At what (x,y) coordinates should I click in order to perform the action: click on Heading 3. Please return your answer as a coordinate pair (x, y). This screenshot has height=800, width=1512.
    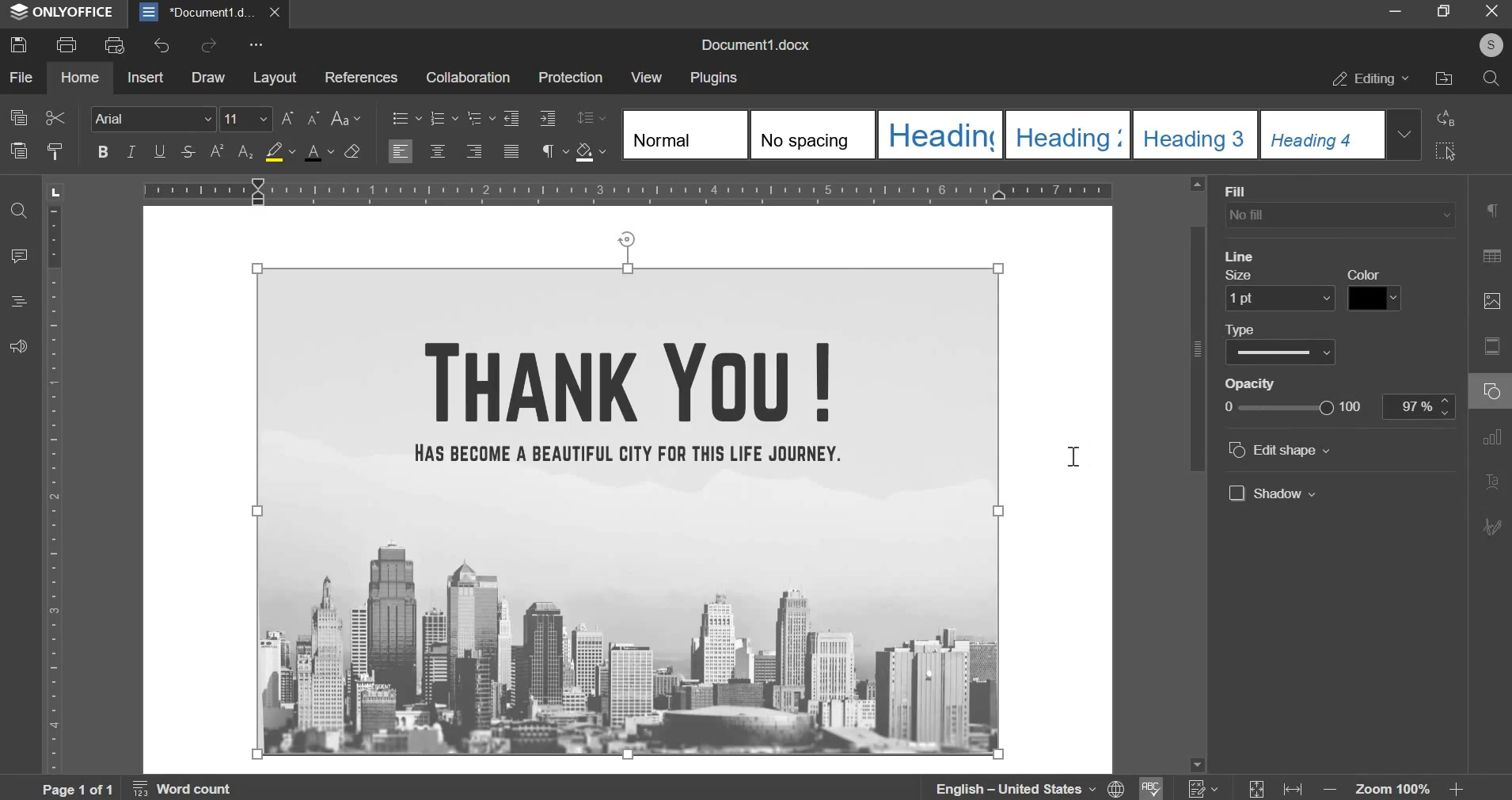
    Looking at the image, I should click on (1066, 135).